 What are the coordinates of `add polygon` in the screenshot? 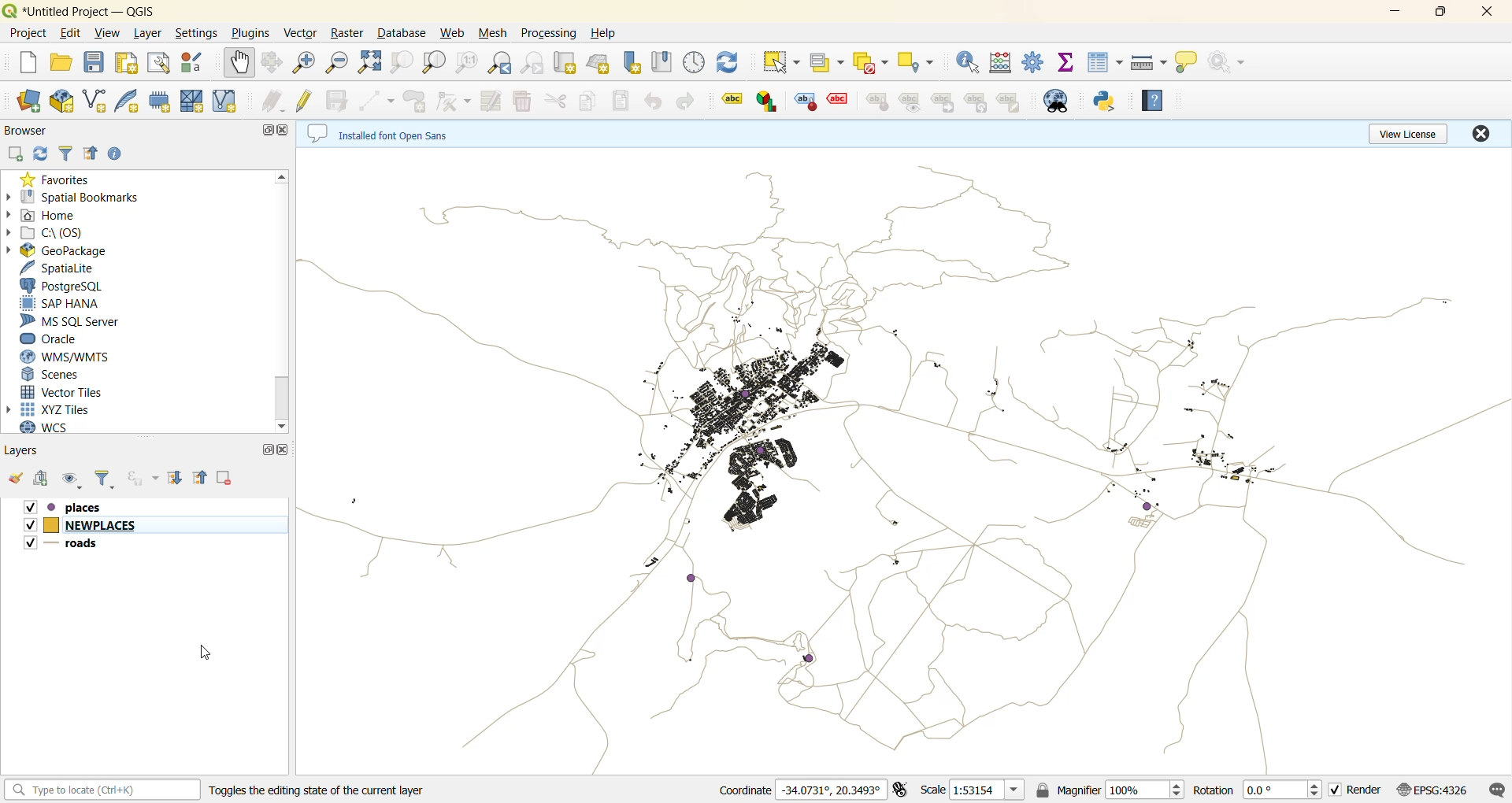 It's located at (415, 100).